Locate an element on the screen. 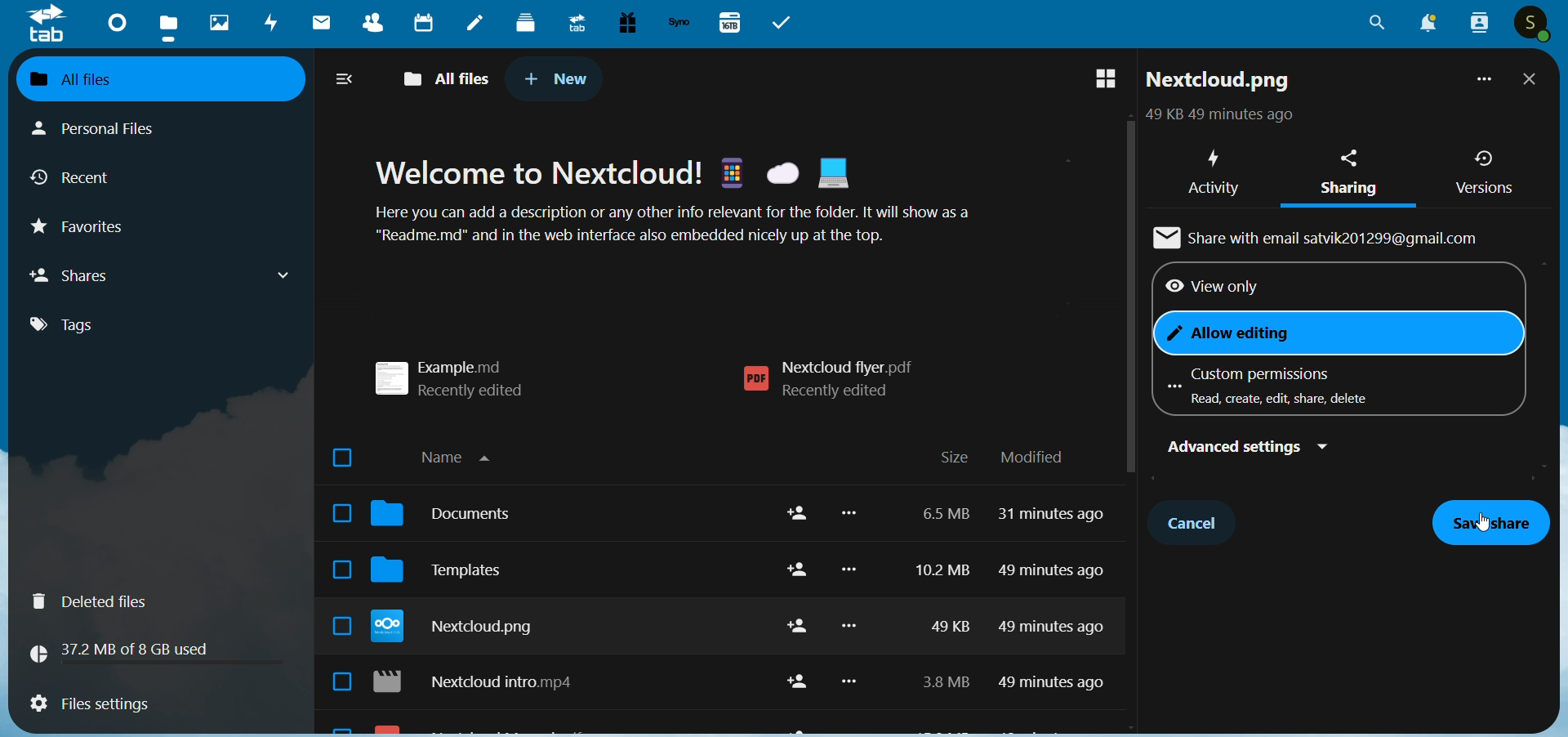 The width and height of the screenshot is (1568, 737). calendar is located at coordinates (421, 25).